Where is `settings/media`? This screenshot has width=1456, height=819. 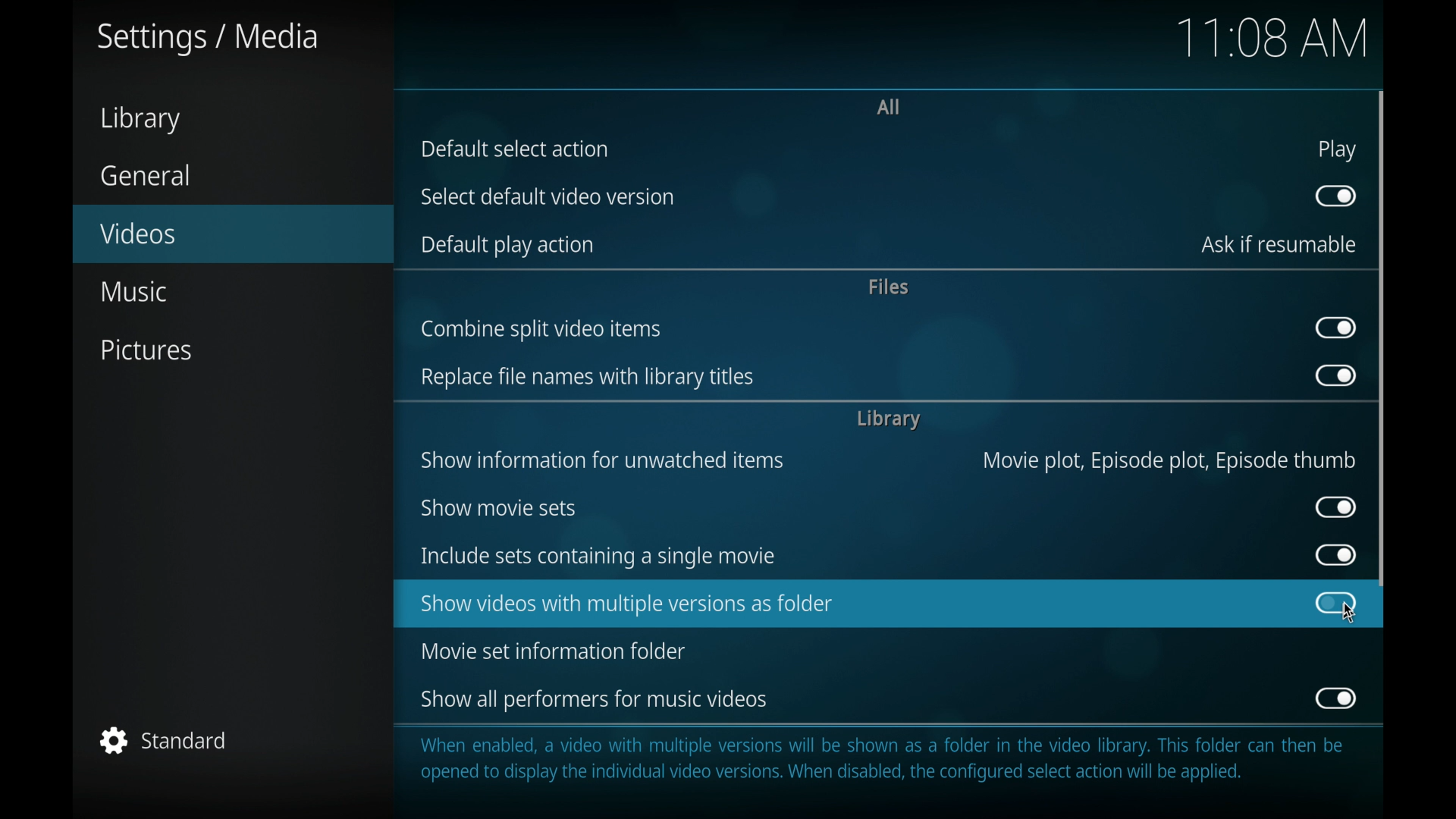 settings/media is located at coordinates (208, 39).